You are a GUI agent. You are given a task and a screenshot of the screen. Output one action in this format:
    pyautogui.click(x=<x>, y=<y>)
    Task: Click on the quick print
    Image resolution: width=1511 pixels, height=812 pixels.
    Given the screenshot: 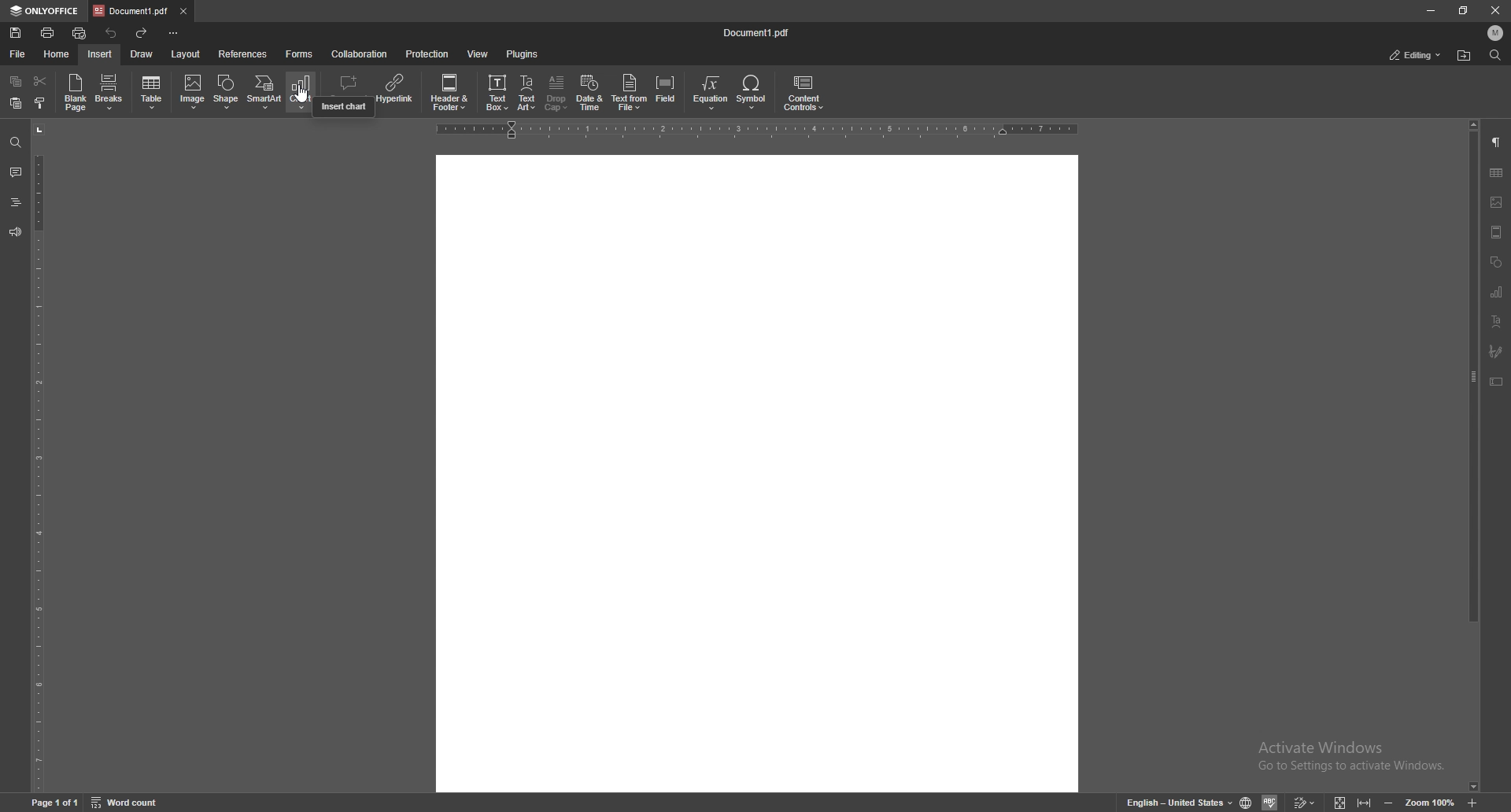 What is the action you would take?
    pyautogui.click(x=79, y=33)
    